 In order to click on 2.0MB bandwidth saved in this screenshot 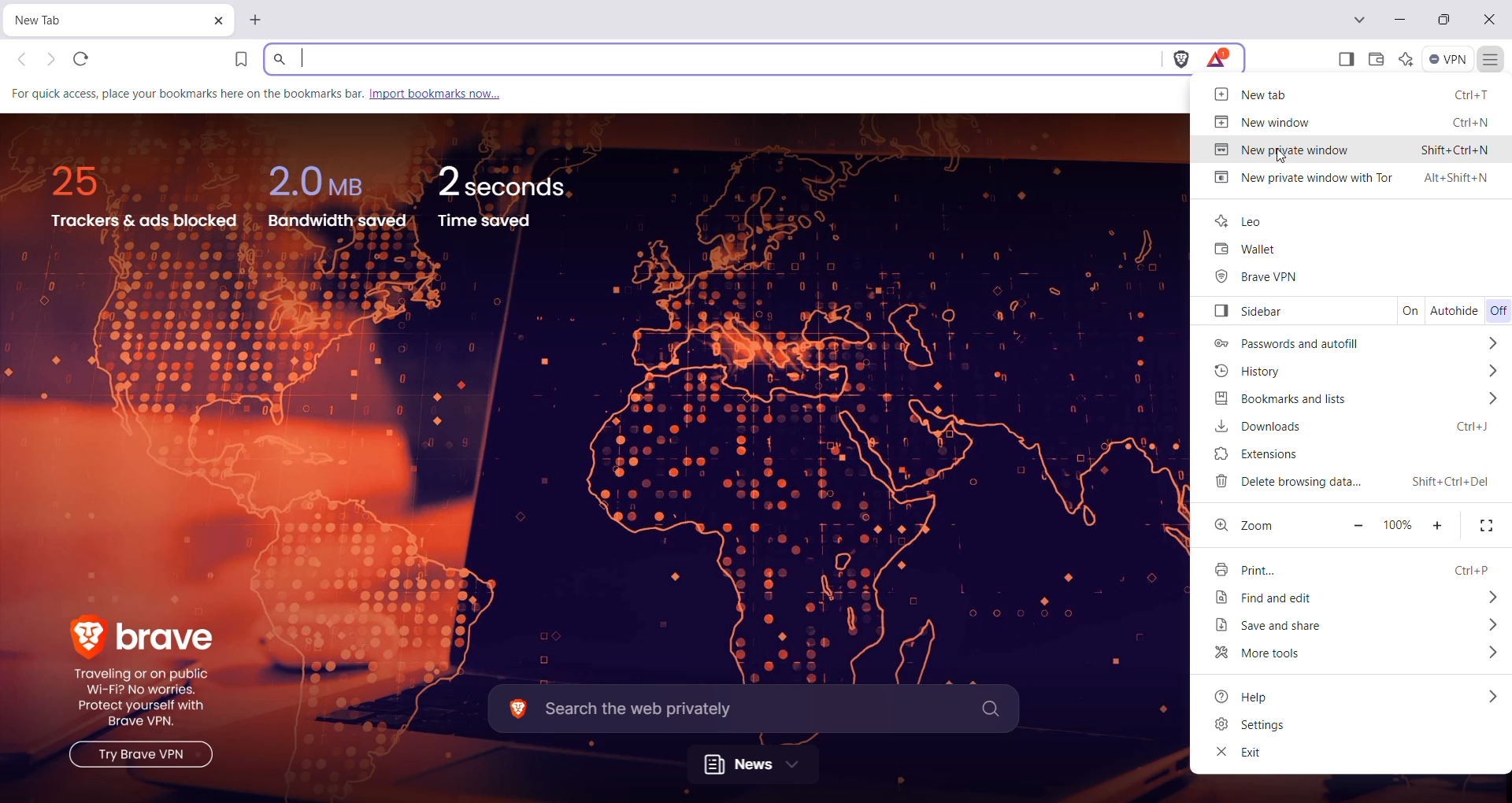, I will do `click(337, 198)`.